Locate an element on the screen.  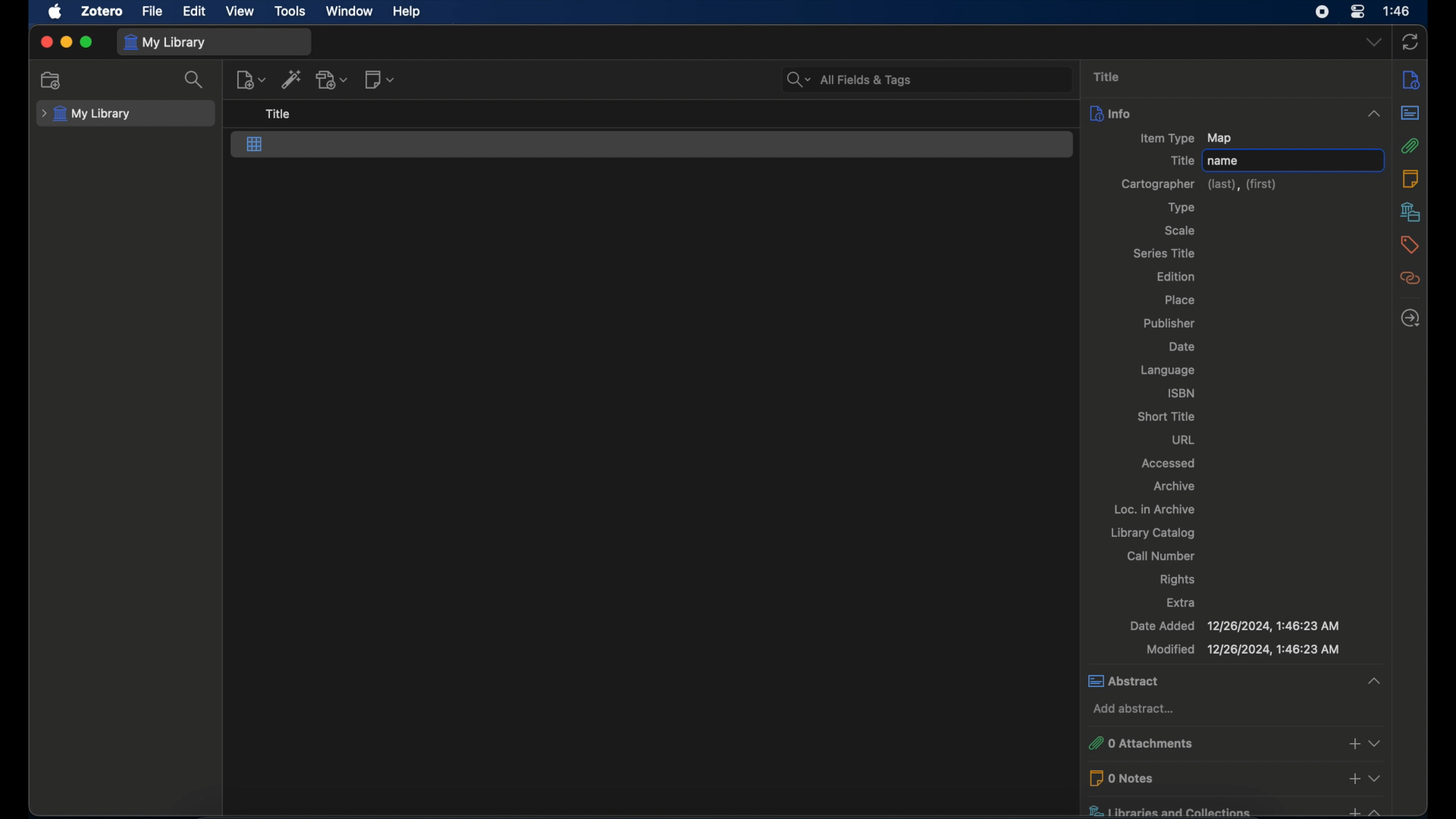
add abstract is located at coordinates (1137, 710).